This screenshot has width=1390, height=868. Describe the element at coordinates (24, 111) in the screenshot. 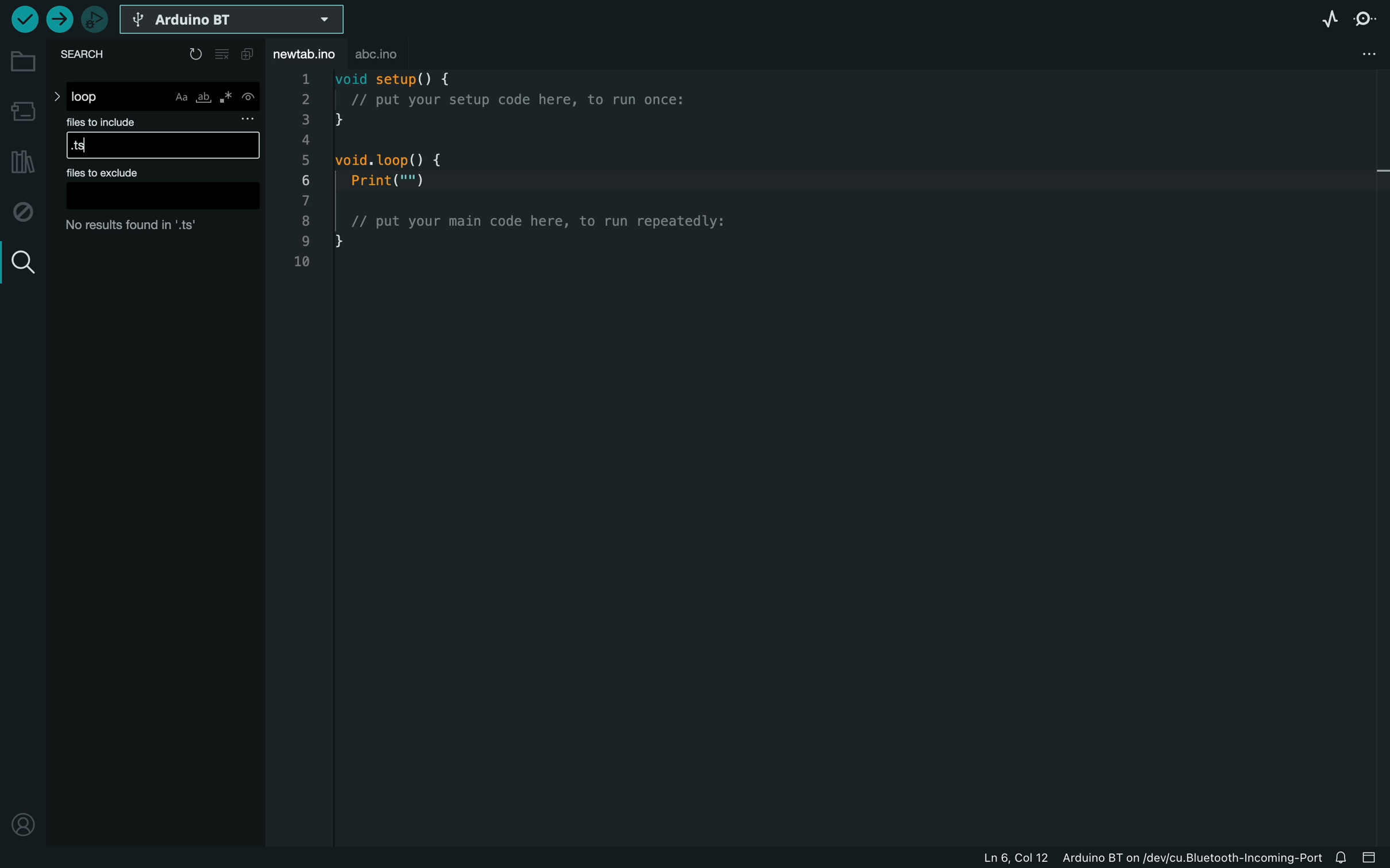

I see `board manager` at that location.